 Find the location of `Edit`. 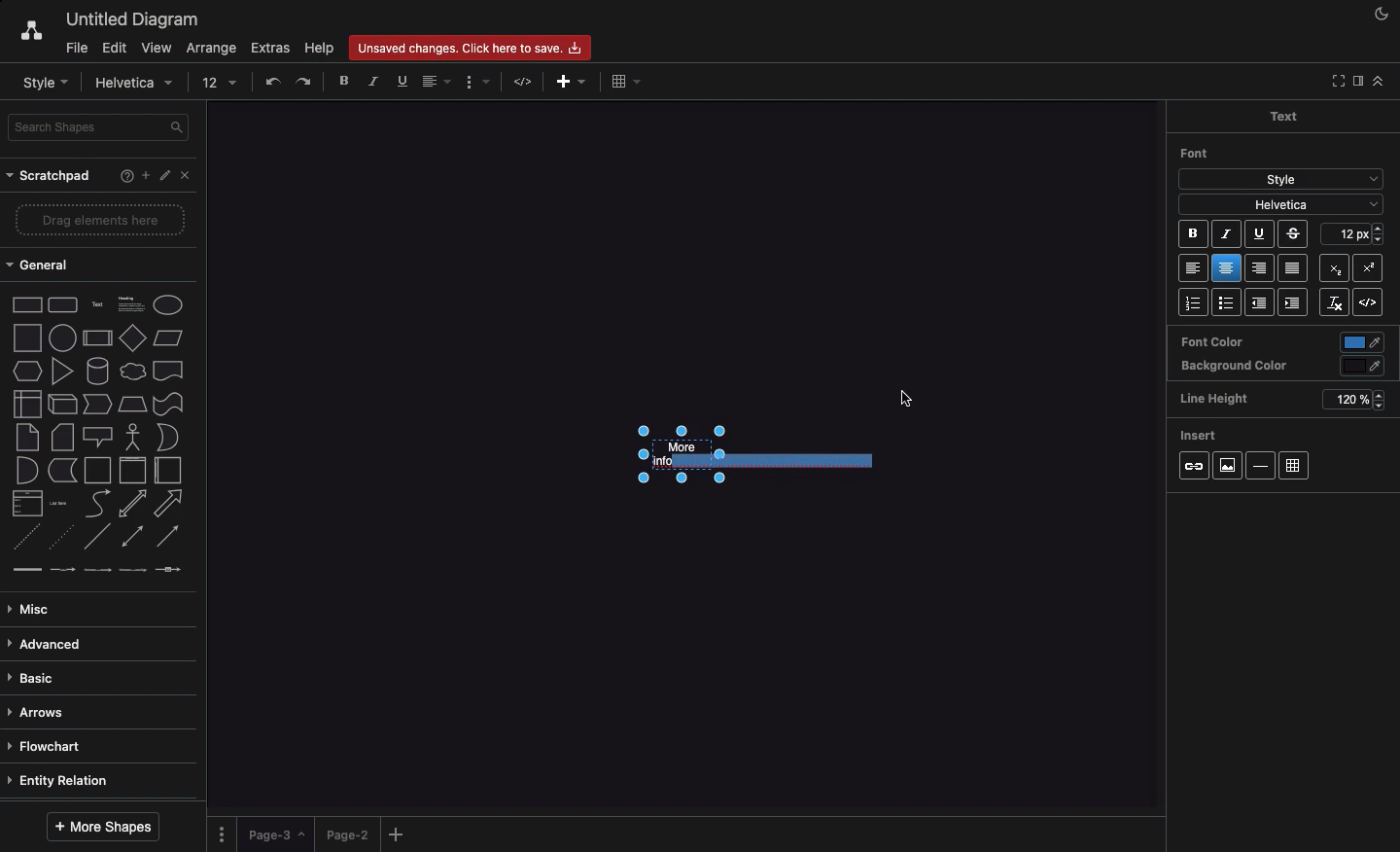

Edit is located at coordinates (114, 49).